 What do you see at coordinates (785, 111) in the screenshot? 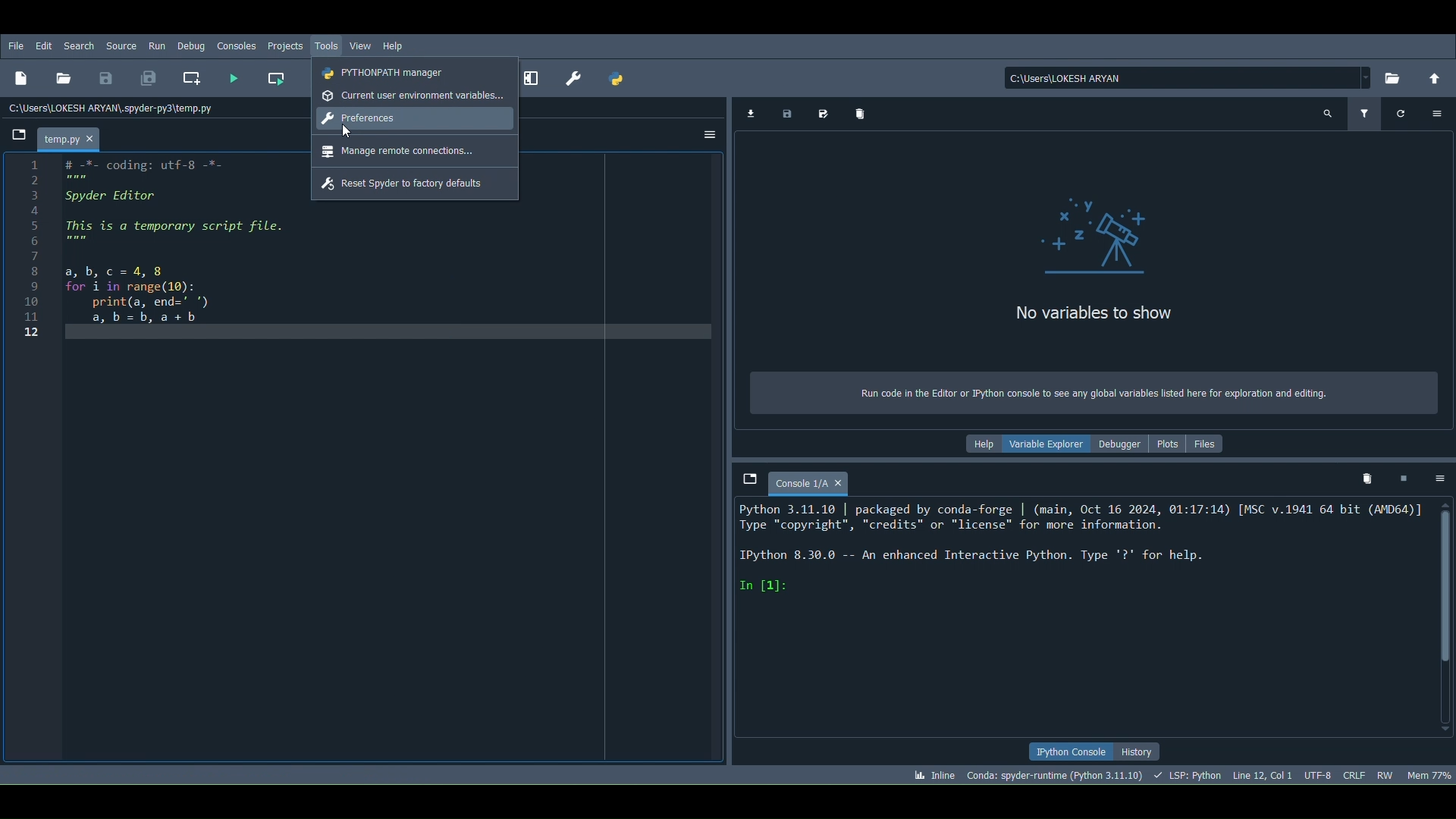
I see `Save data` at bounding box center [785, 111].